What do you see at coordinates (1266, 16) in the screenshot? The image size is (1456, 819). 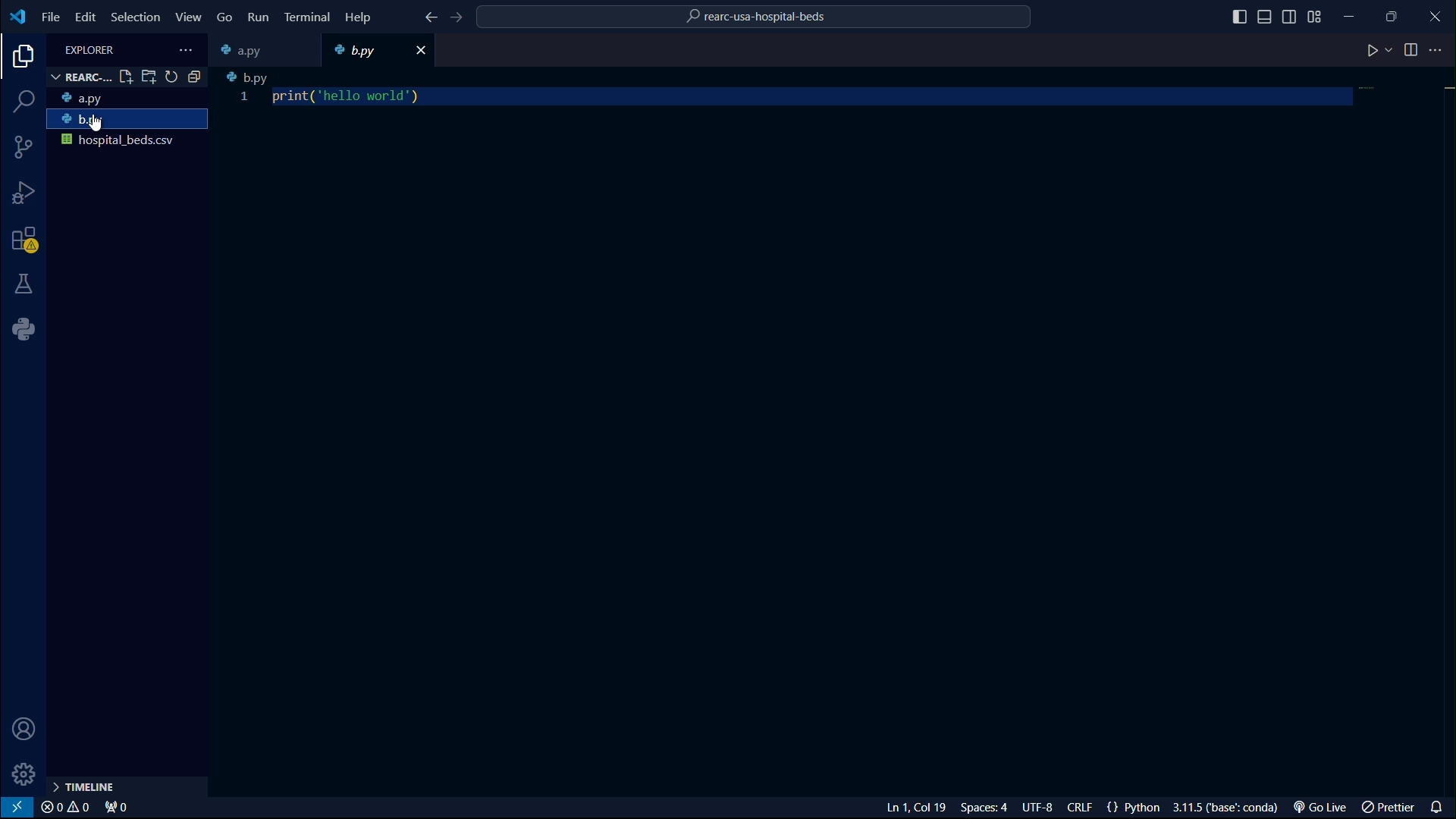 I see `toggle panel` at bounding box center [1266, 16].